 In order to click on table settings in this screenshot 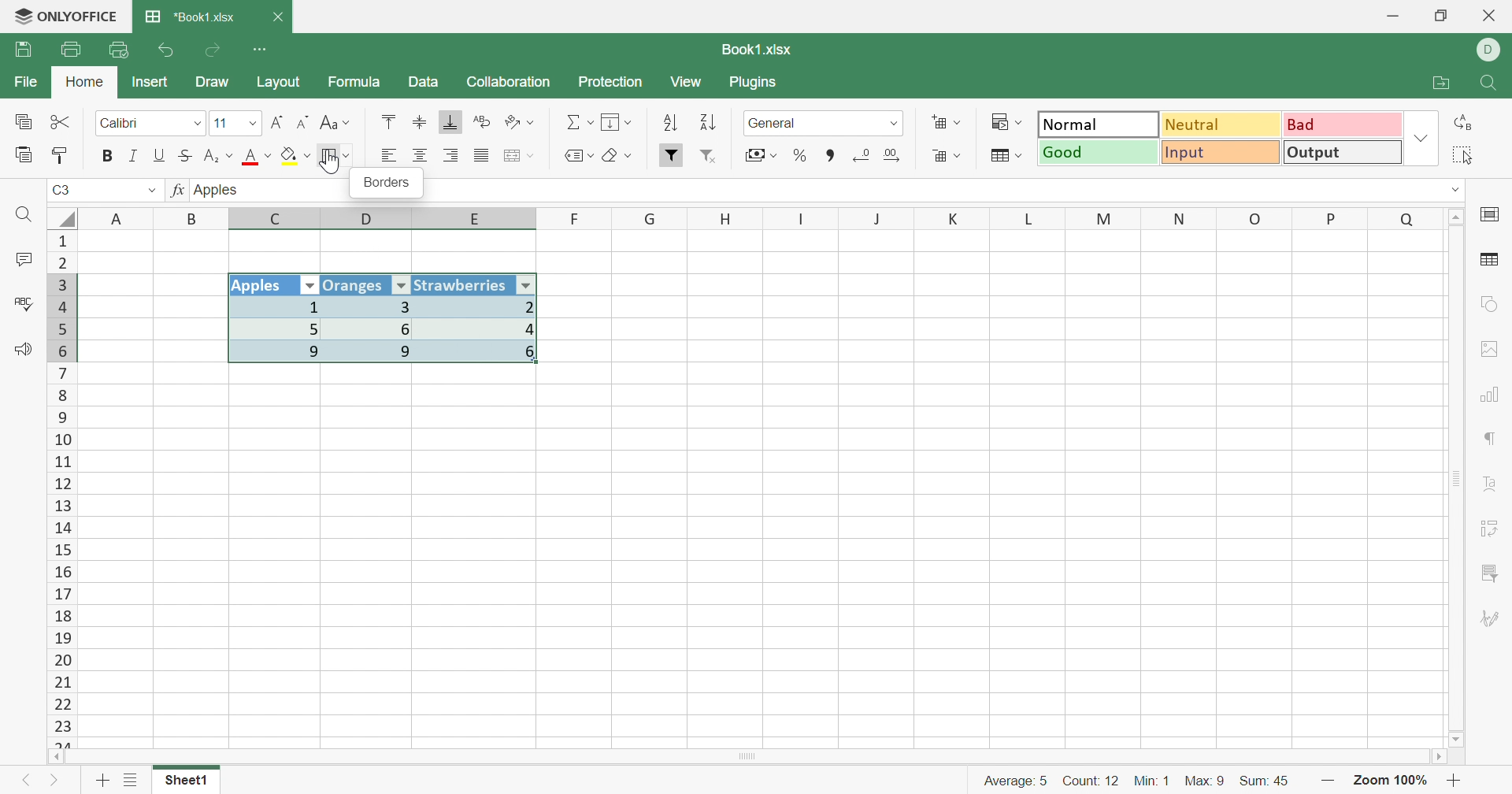, I will do `click(1492, 262)`.